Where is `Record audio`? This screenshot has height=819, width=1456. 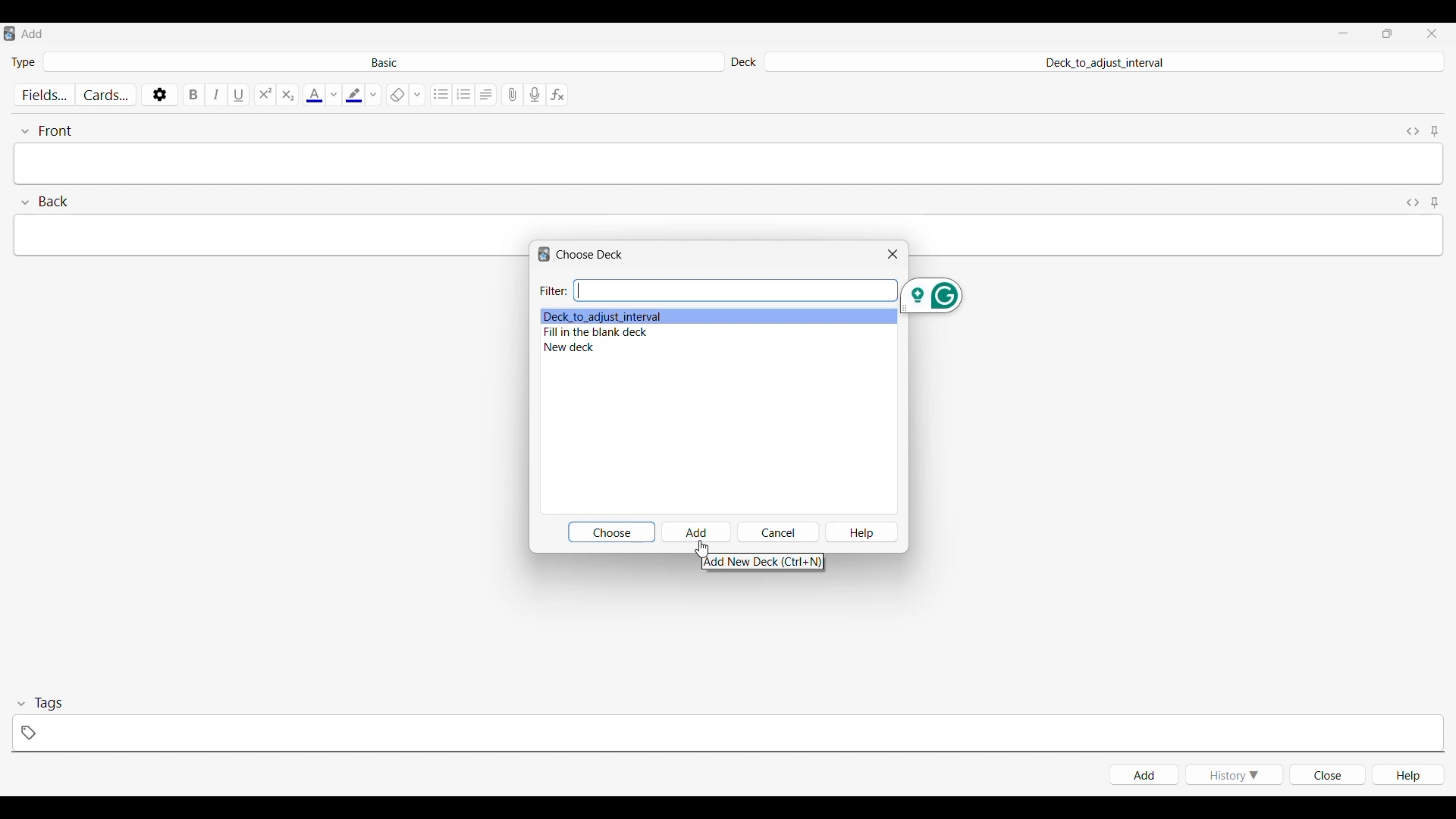
Record audio is located at coordinates (535, 95).